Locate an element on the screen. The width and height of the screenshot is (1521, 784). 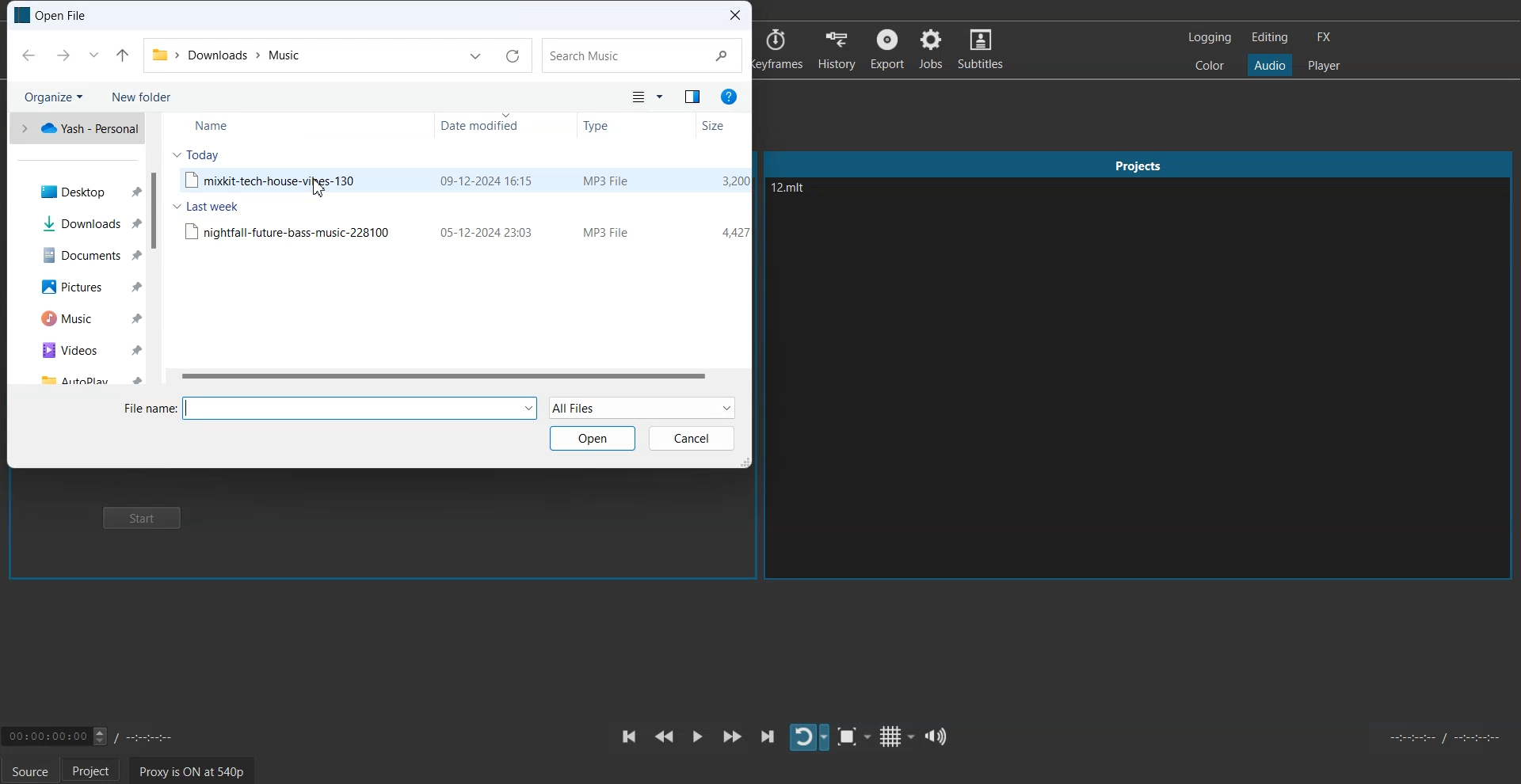
Pictures is located at coordinates (76, 285).